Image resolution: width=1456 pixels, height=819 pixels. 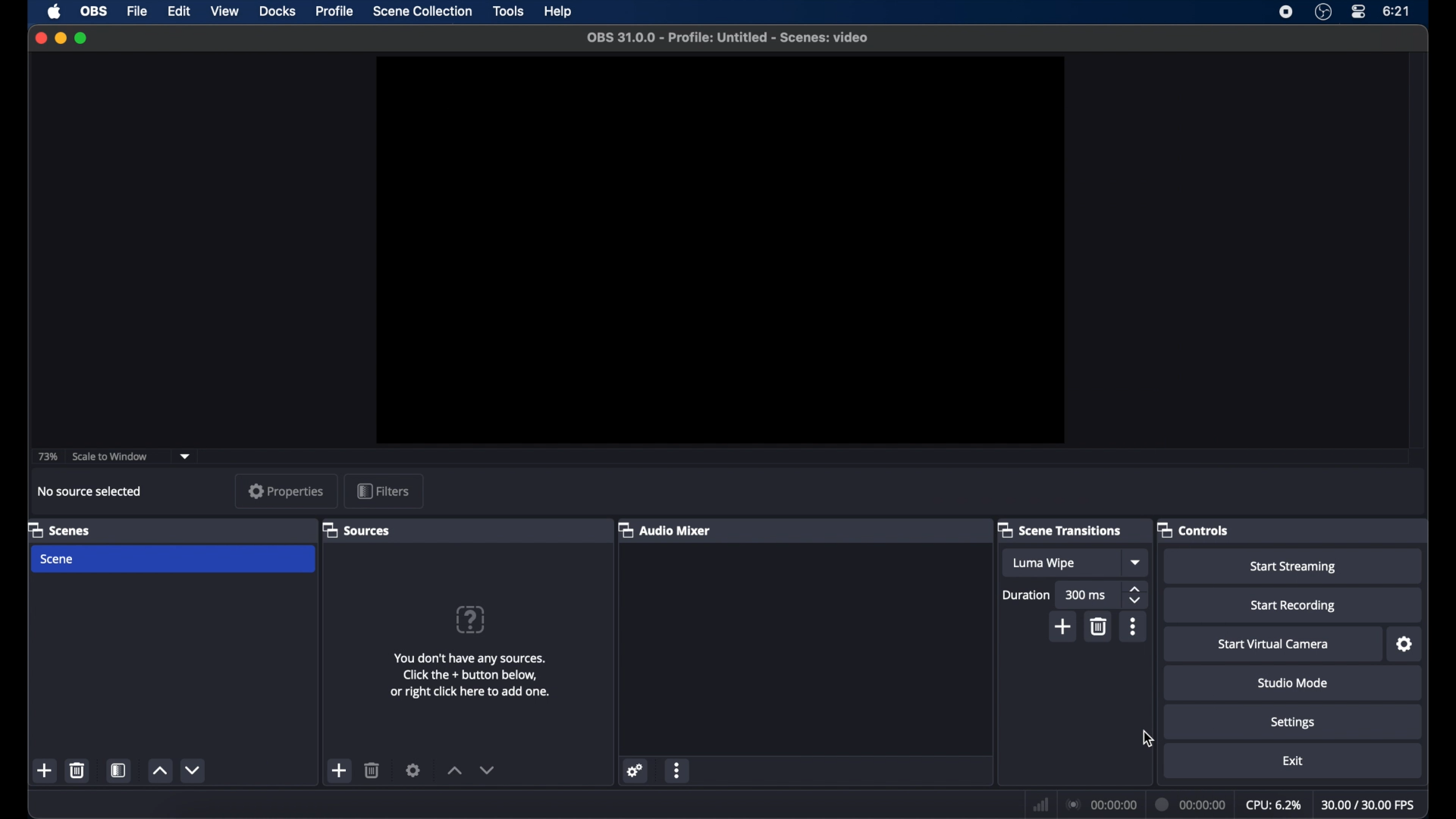 I want to click on connection, so click(x=1101, y=804).